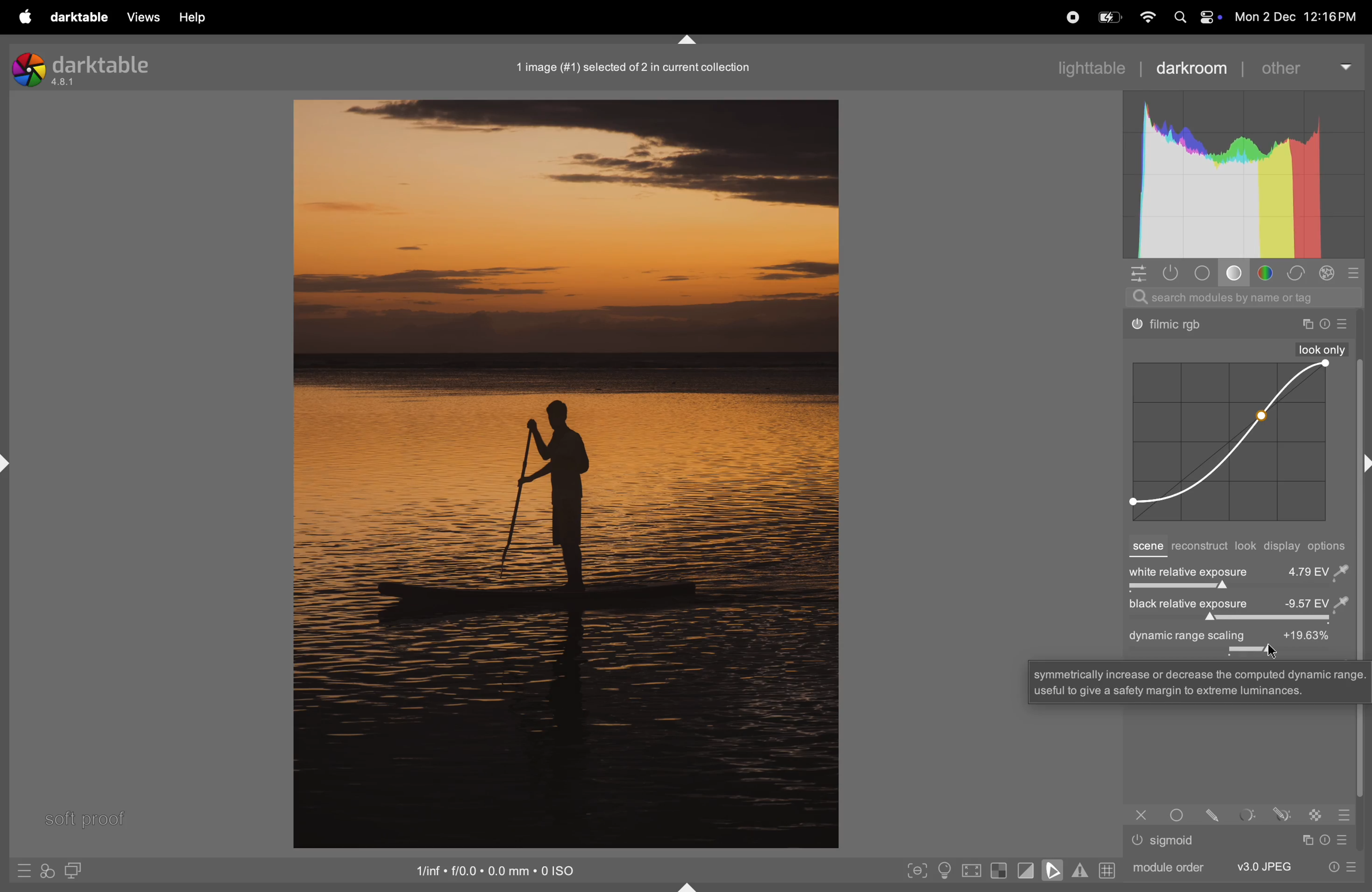  Describe the element at coordinates (499, 869) in the screenshot. I see `iso` at that location.